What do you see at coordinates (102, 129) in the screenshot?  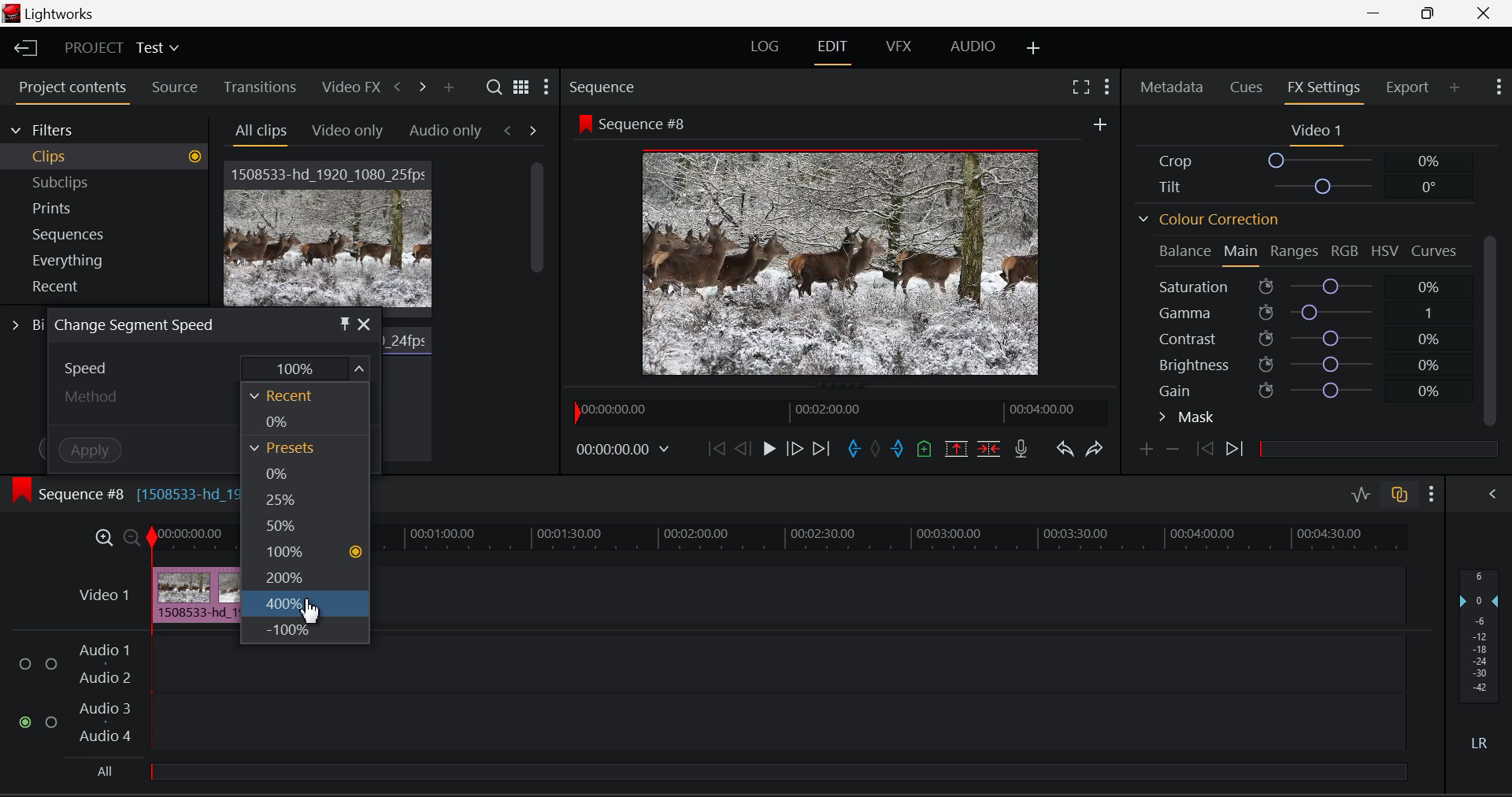 I see `Filters Selection` at bounding box center [102, 129].